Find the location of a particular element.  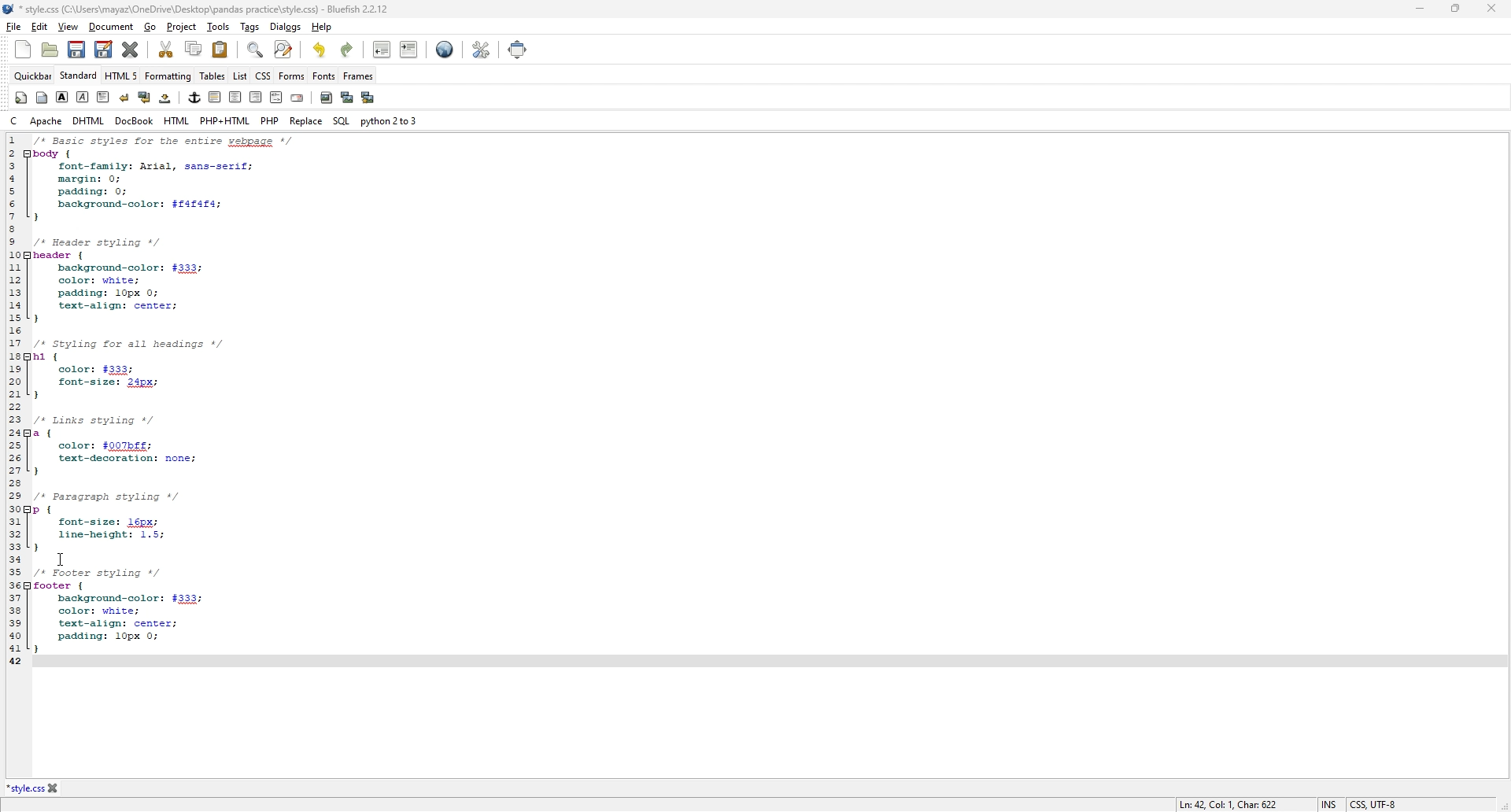

php+html is located at coordinates (227, 120).